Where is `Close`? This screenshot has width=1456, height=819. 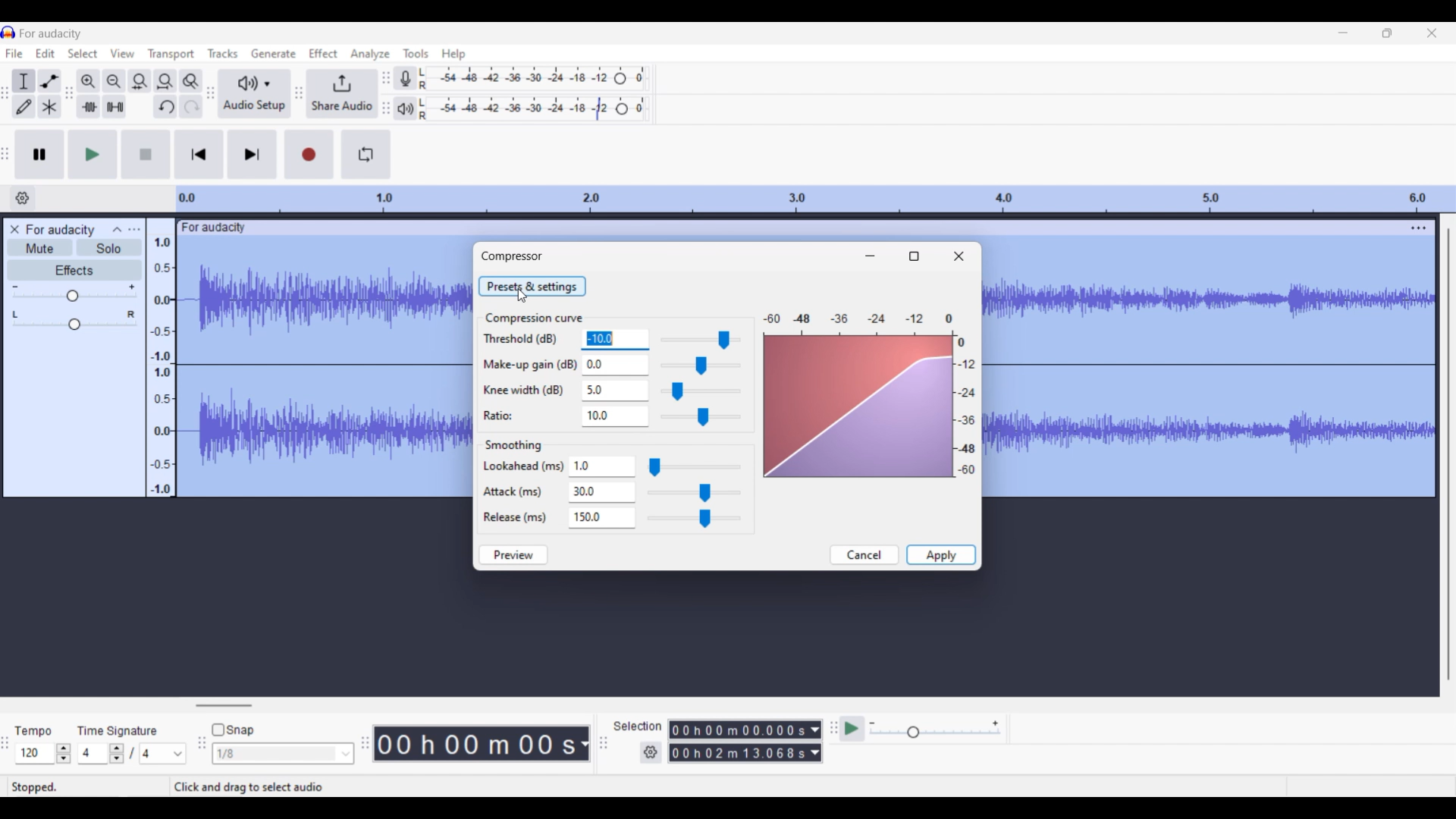
Close is located at coordinates (959, 256).